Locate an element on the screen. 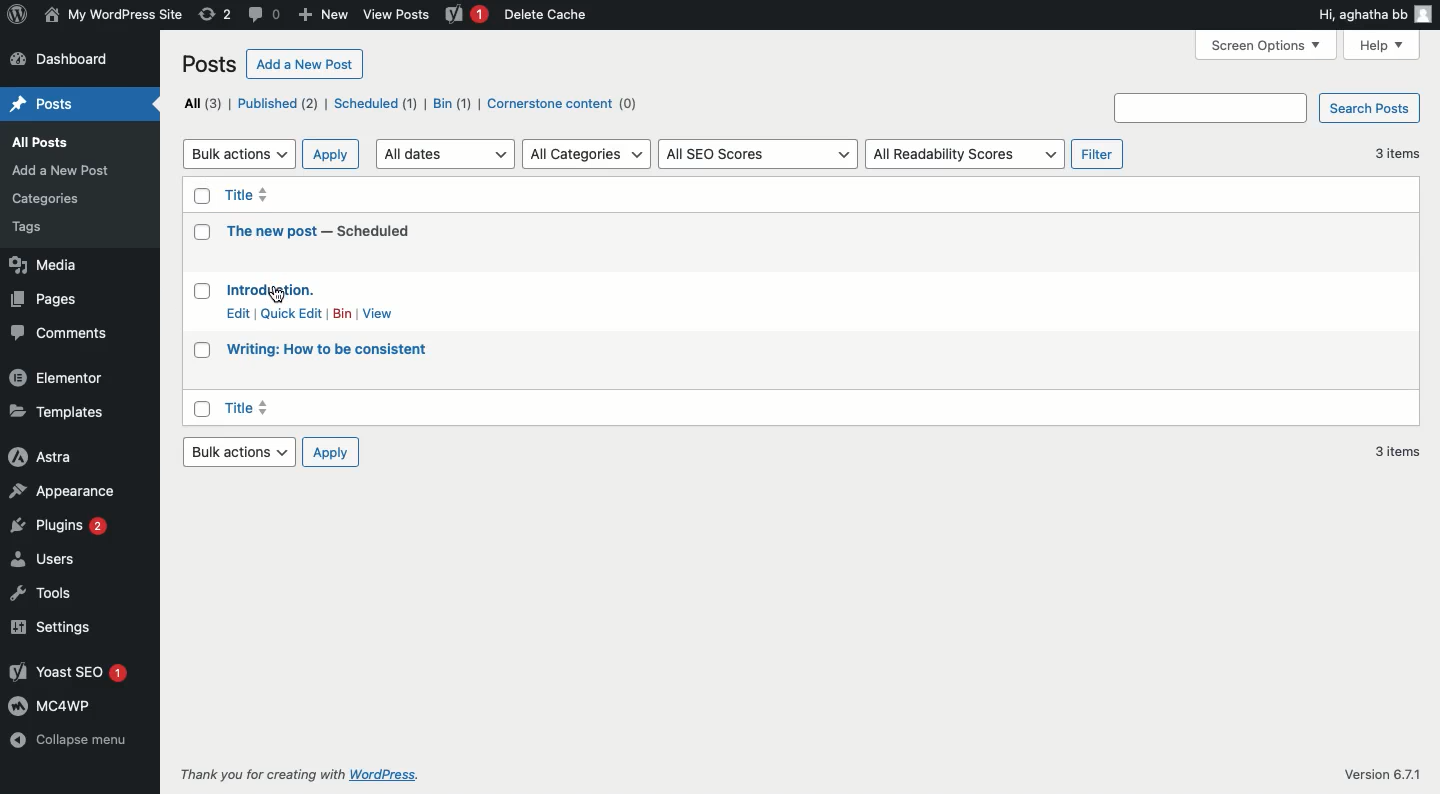 This screenshot has height=794, width=1440. Astra is located at coordinates (44, 456).